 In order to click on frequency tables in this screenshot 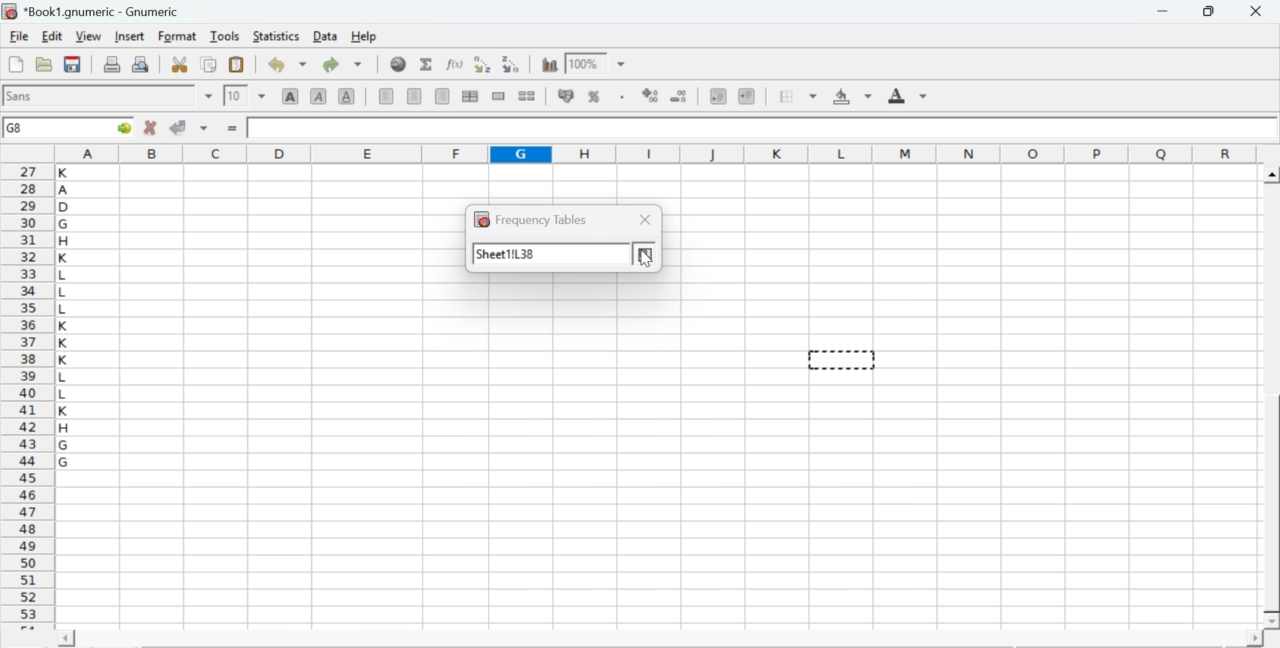, I will do `click(540, 218)`.